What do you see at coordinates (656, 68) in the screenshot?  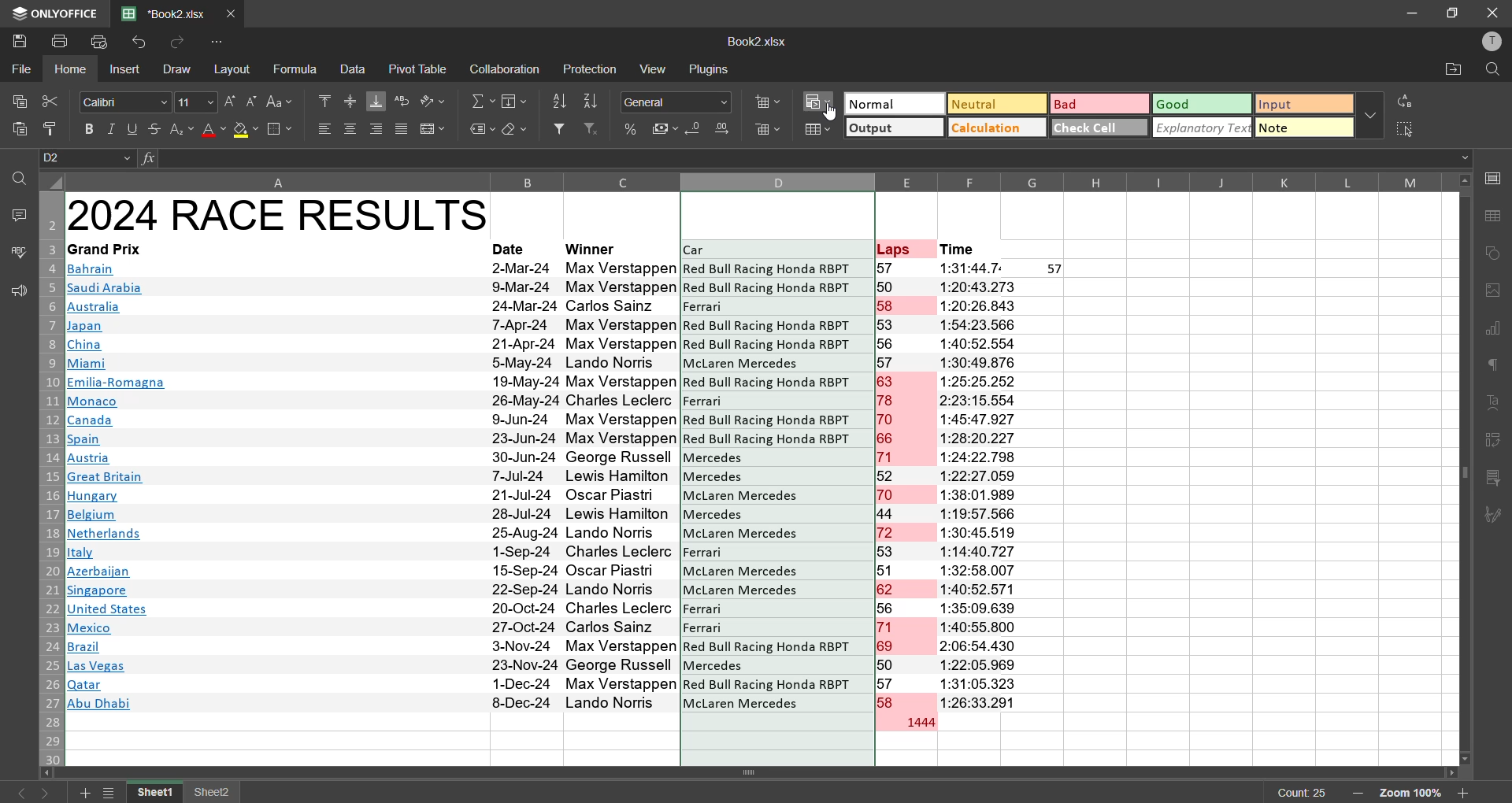 I see `view` at bounding box center [656, 68].